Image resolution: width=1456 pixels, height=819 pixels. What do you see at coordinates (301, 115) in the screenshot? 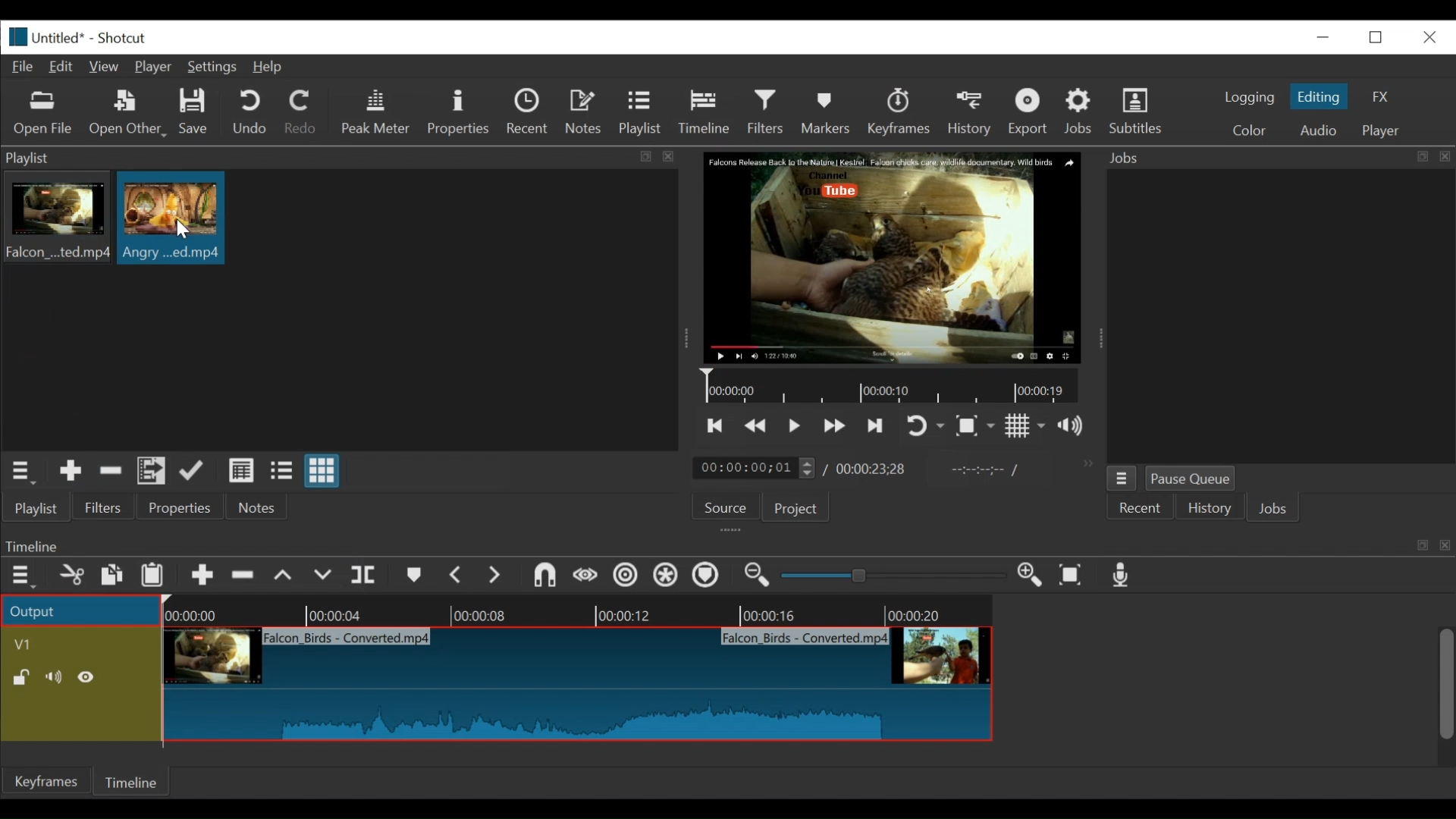
I see `Redo` at bounding box center [301, 115].